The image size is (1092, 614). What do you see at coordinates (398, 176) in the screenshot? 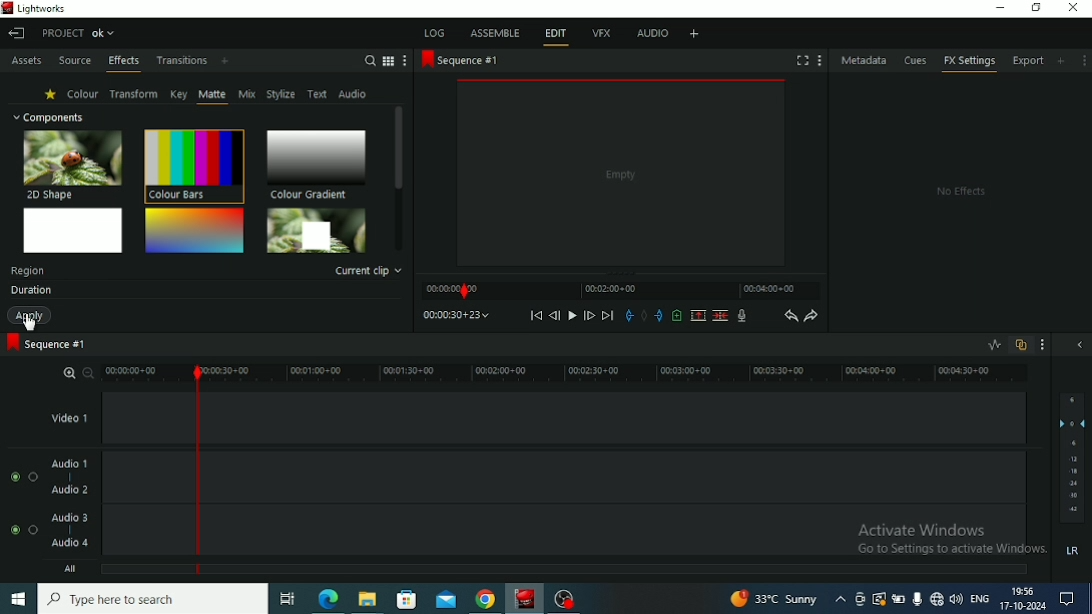
I see `Vertical scroll bar` at bounding box center [398, 176].